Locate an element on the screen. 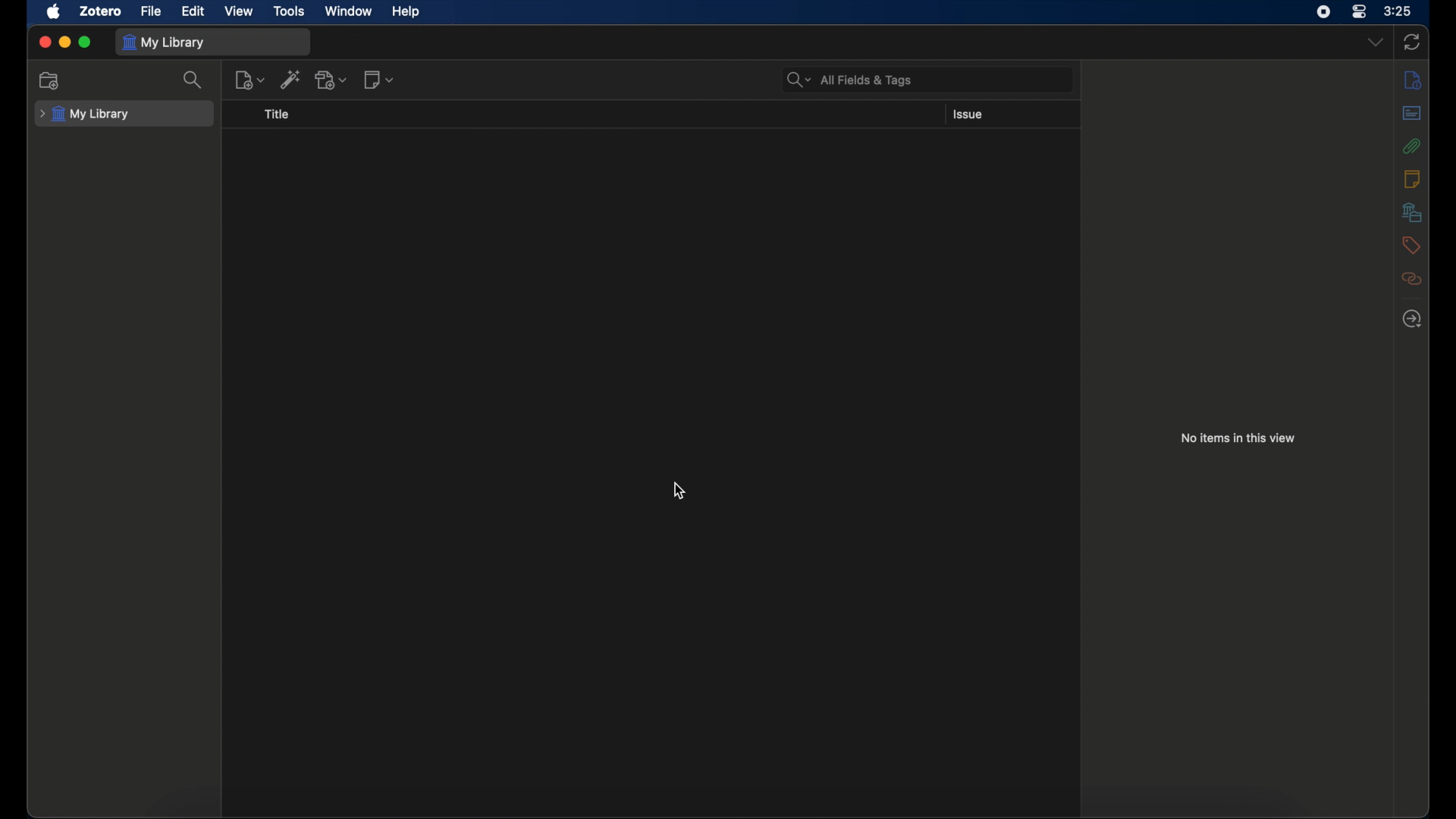 The height and width of the screenshot is (819, 1456). help is located at coordinates (405, 12).